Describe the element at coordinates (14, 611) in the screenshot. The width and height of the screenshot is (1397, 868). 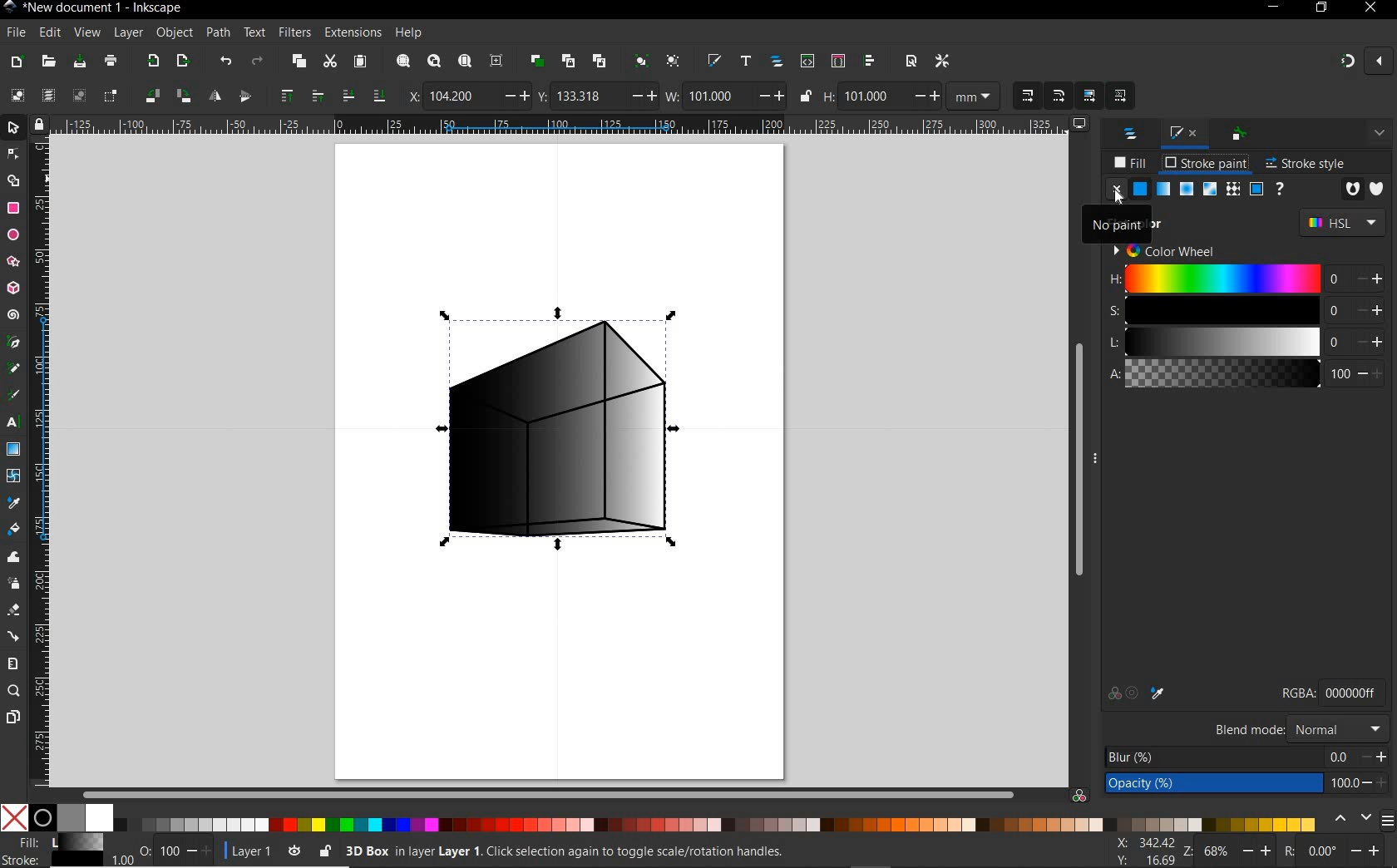
I see `ERASER TOOL` at that location.